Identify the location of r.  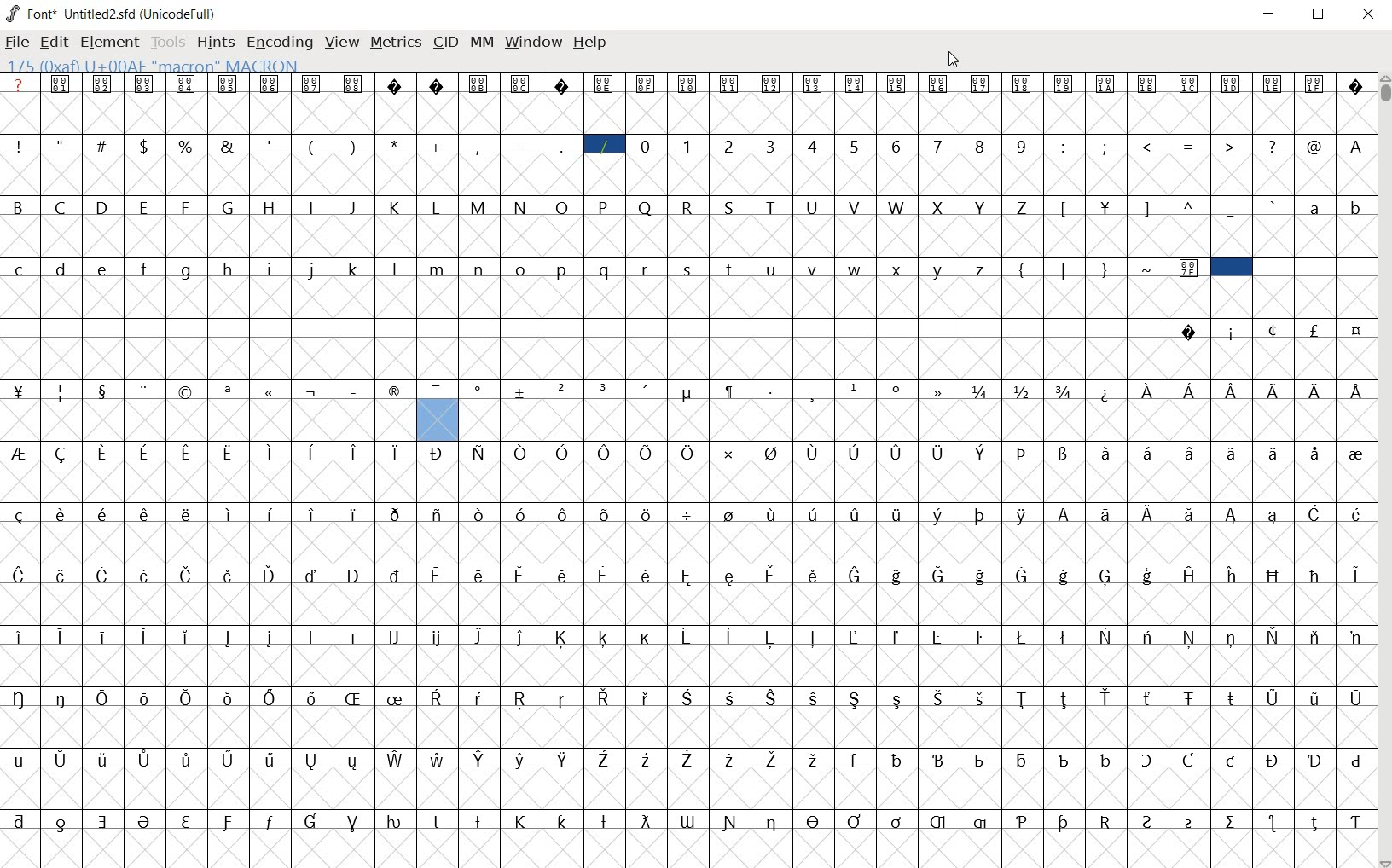
(647, 267).